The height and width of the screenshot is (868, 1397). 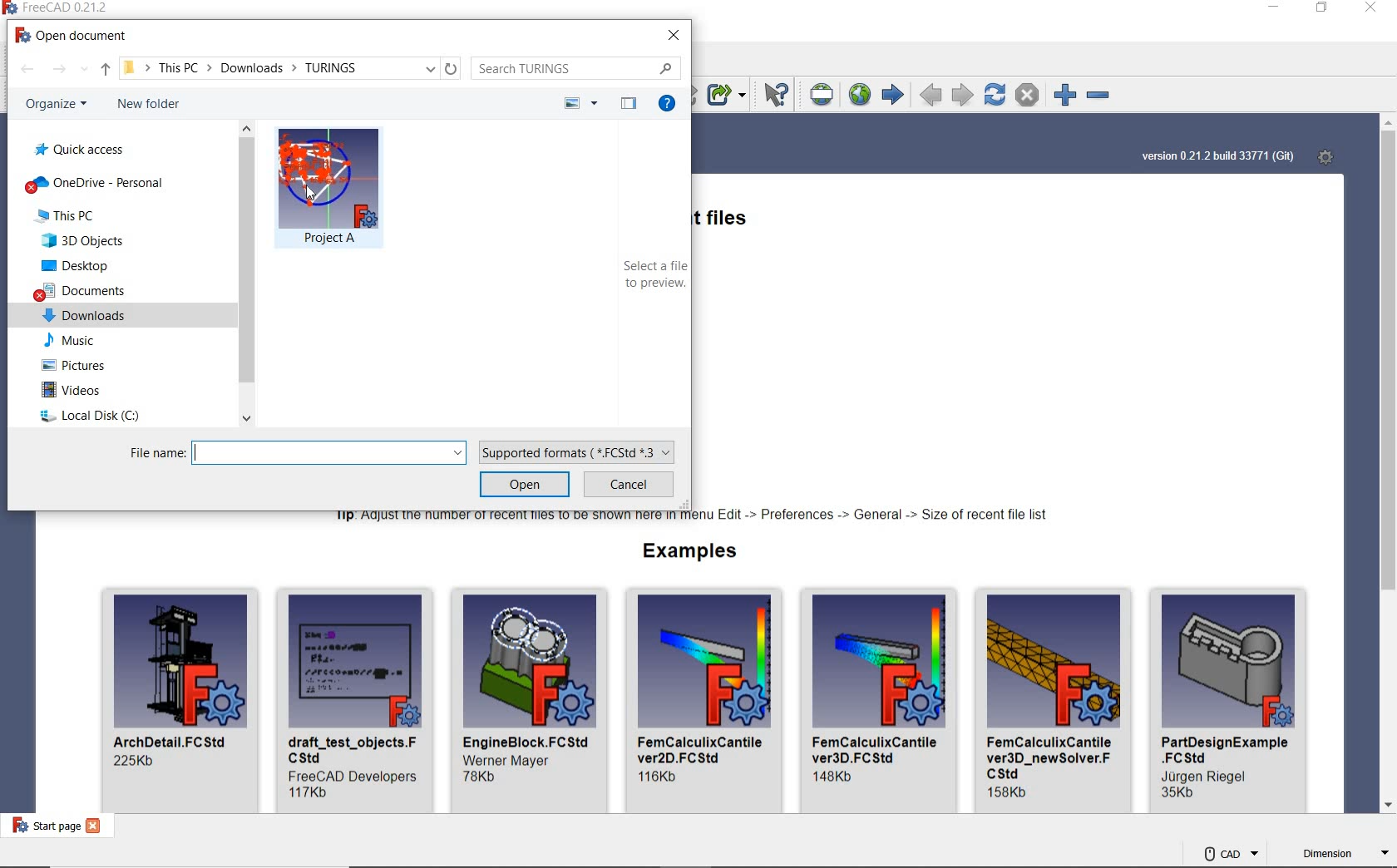 What do you see at coordinates (671, 104) in the screenshot?
I see `GET HELP` at bounding box center [671, 104].